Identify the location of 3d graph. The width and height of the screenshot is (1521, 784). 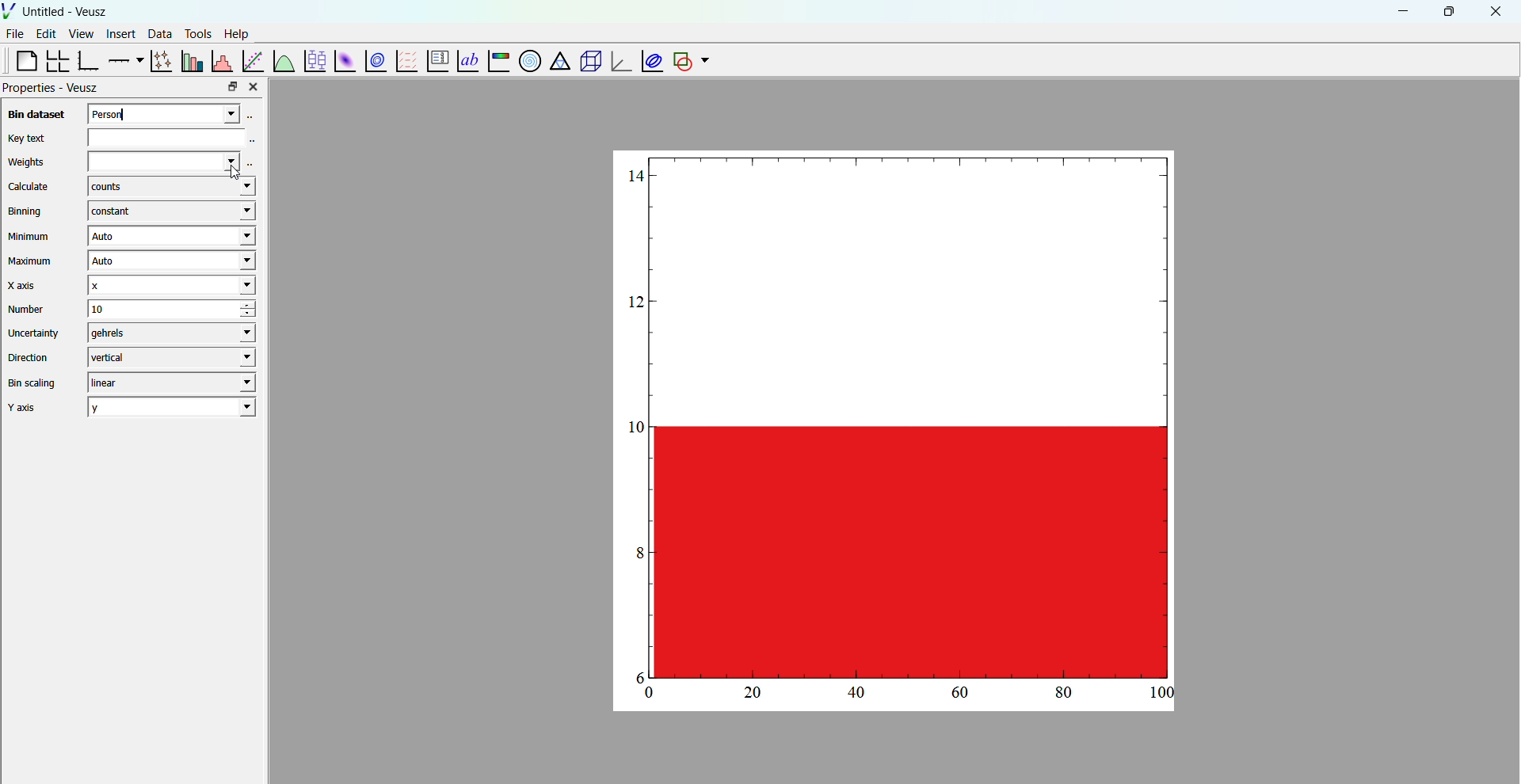
(619, 63).